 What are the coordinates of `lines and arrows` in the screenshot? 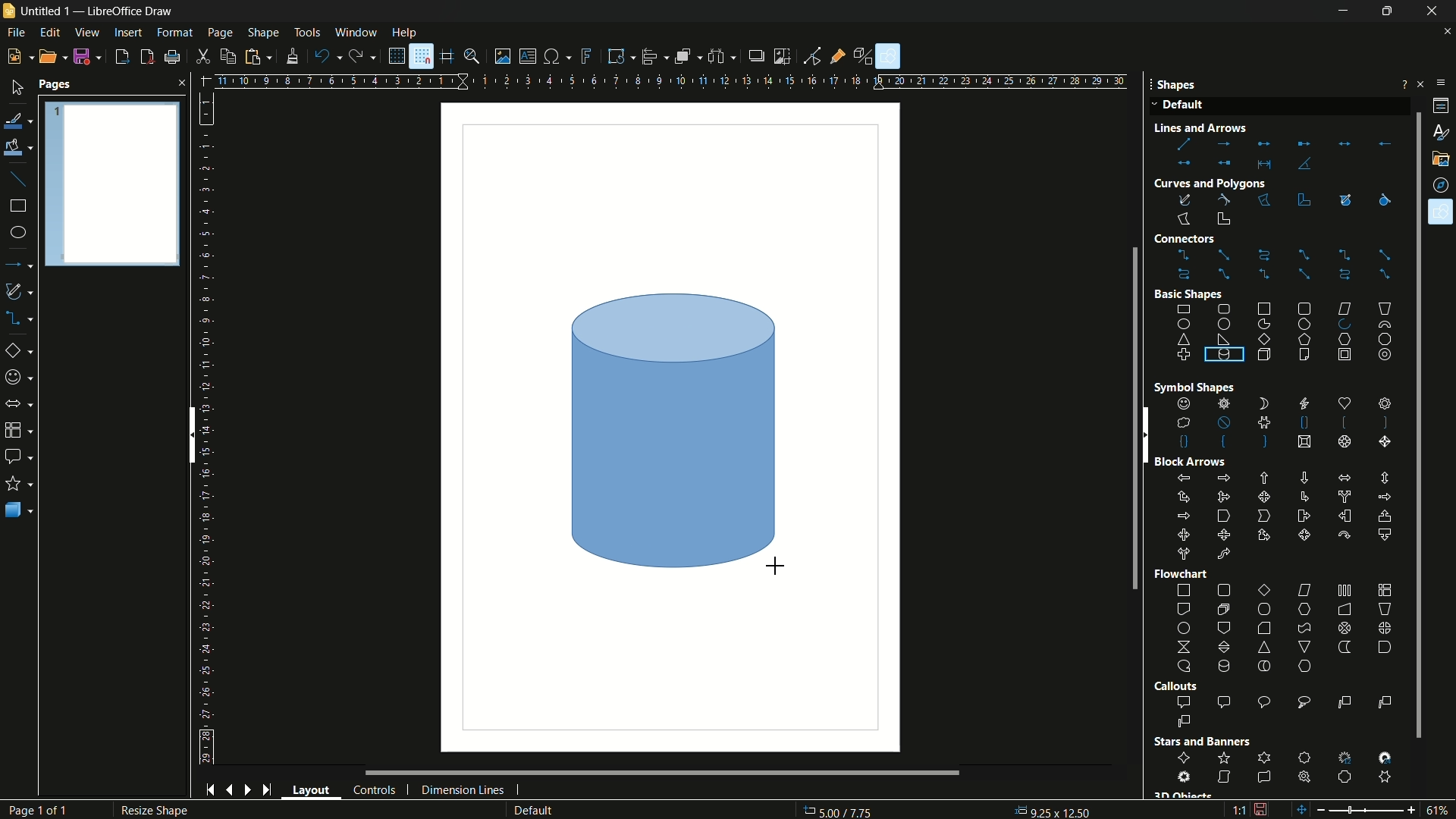 It's located at (20, 264).